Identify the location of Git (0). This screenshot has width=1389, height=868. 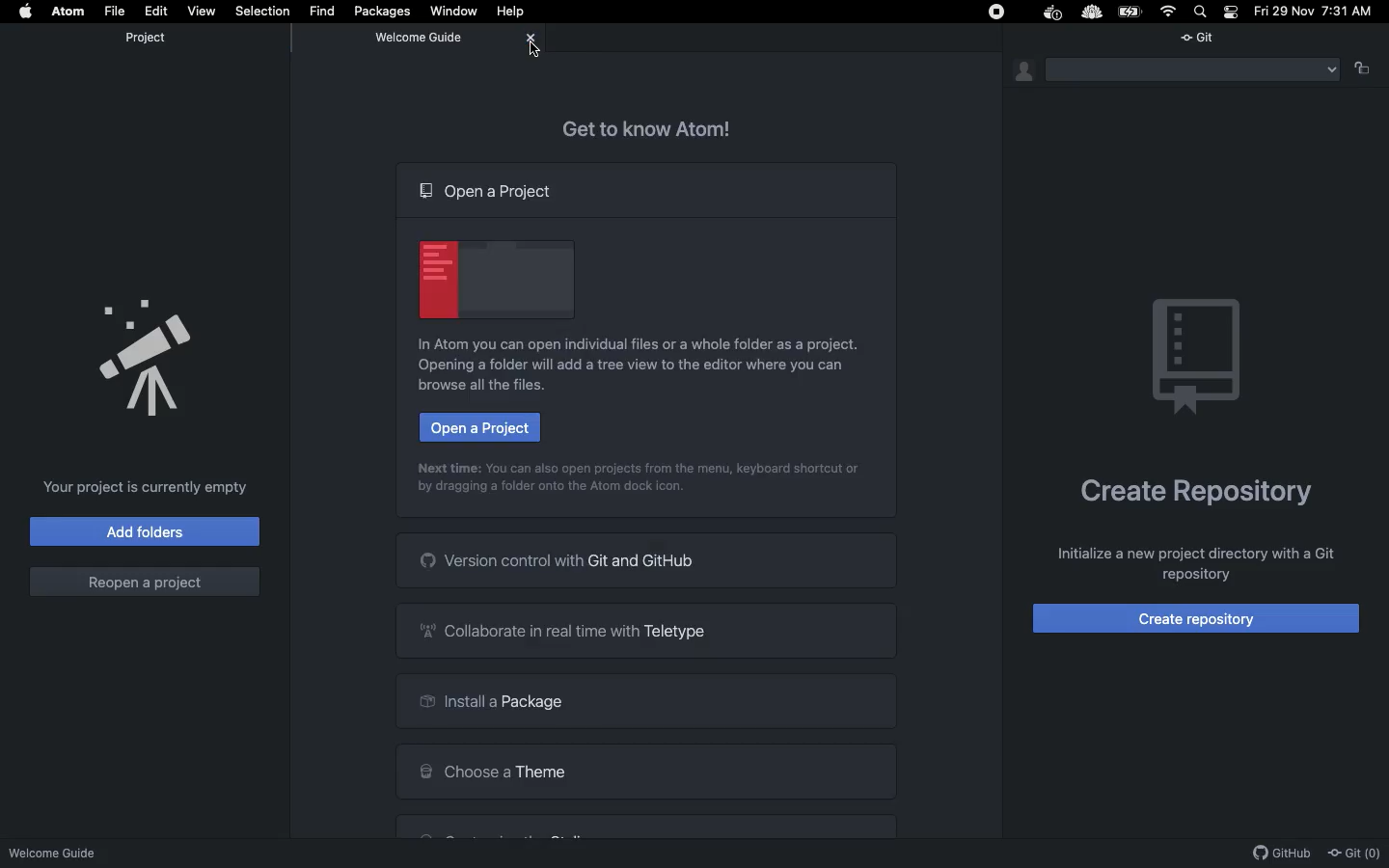
(1356, 853).